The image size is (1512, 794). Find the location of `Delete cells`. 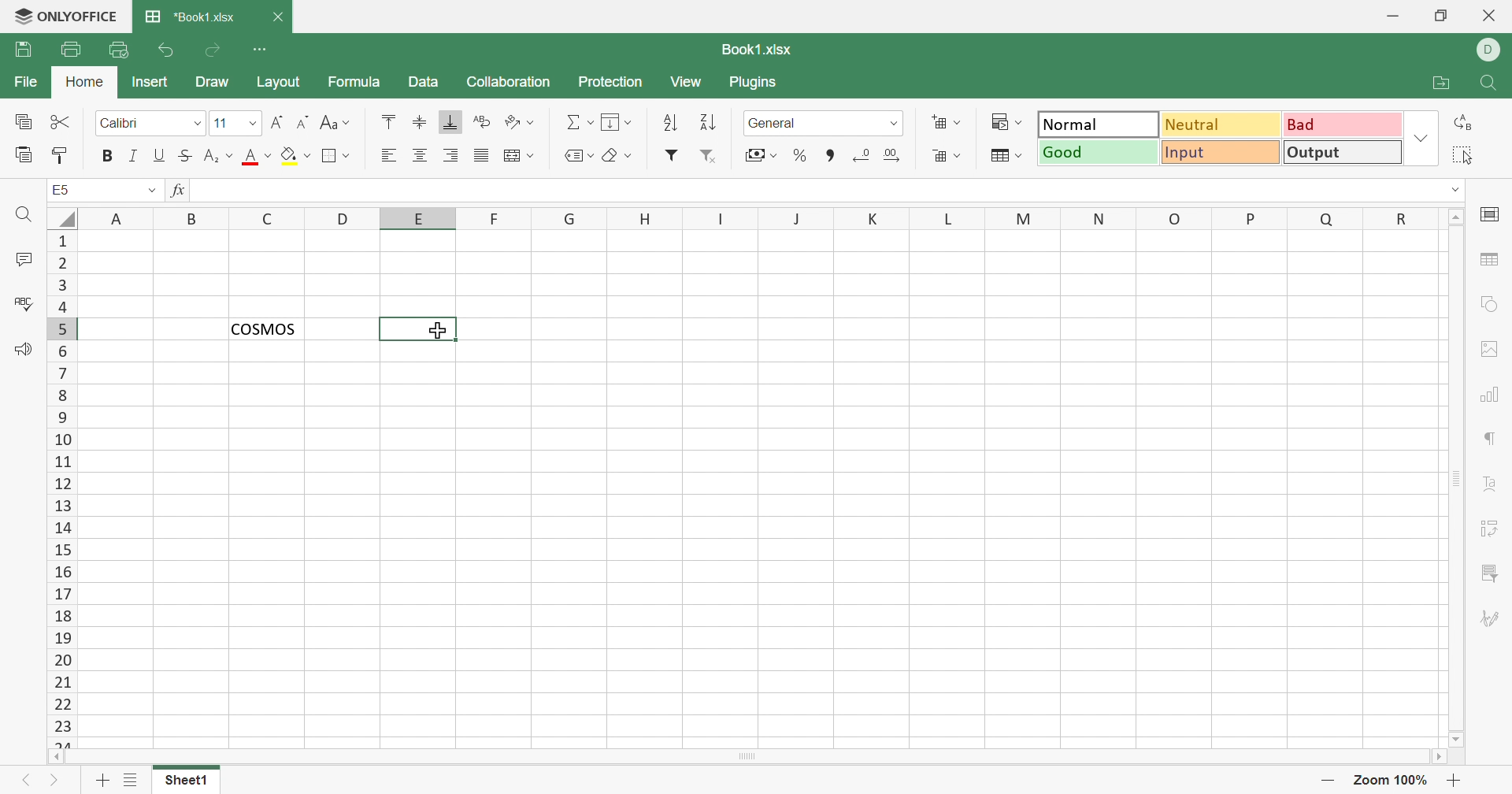

Delete cells is located at coordinates (947, 155).